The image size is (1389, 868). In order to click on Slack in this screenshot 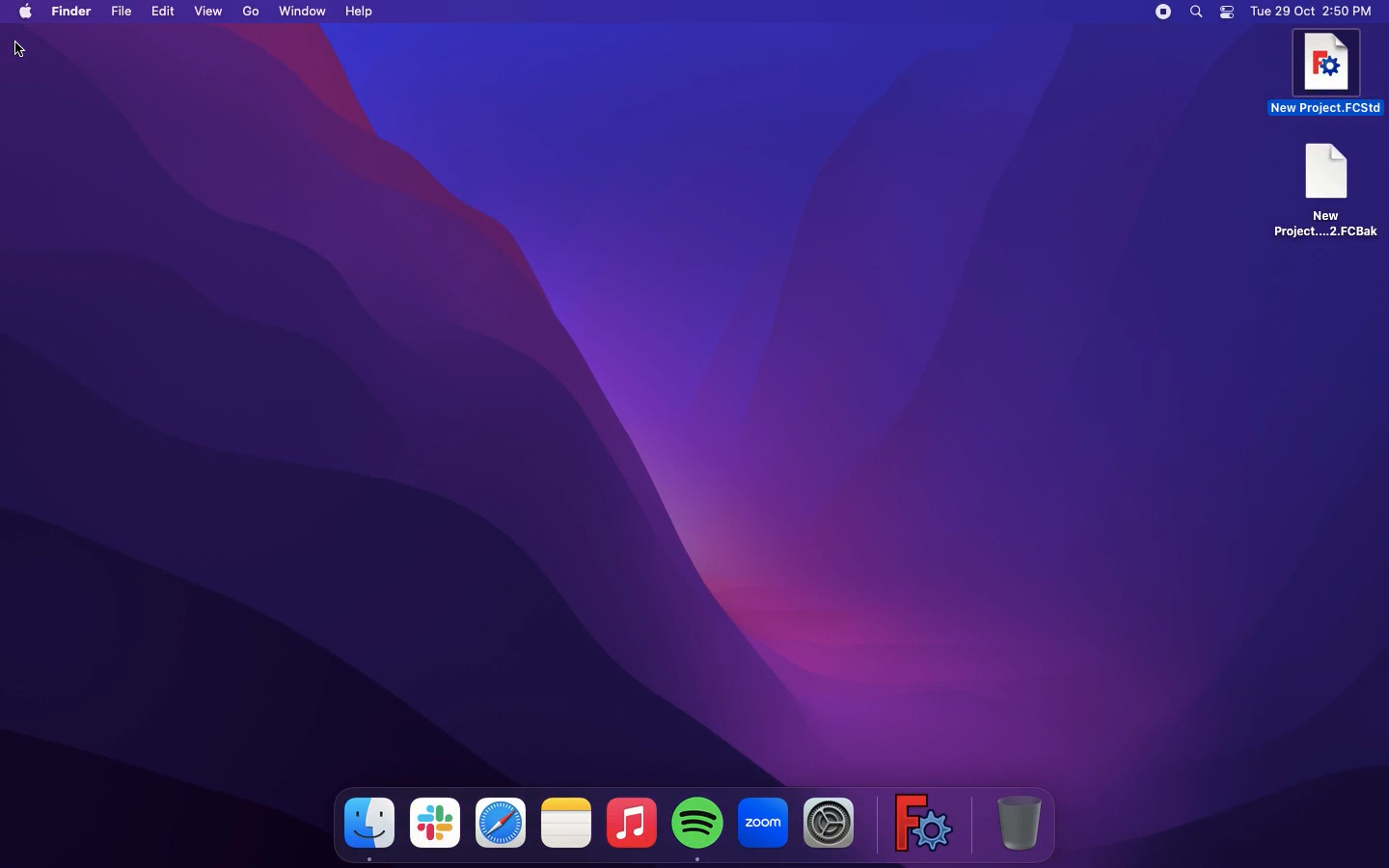, I will do `click(436, 825)`.